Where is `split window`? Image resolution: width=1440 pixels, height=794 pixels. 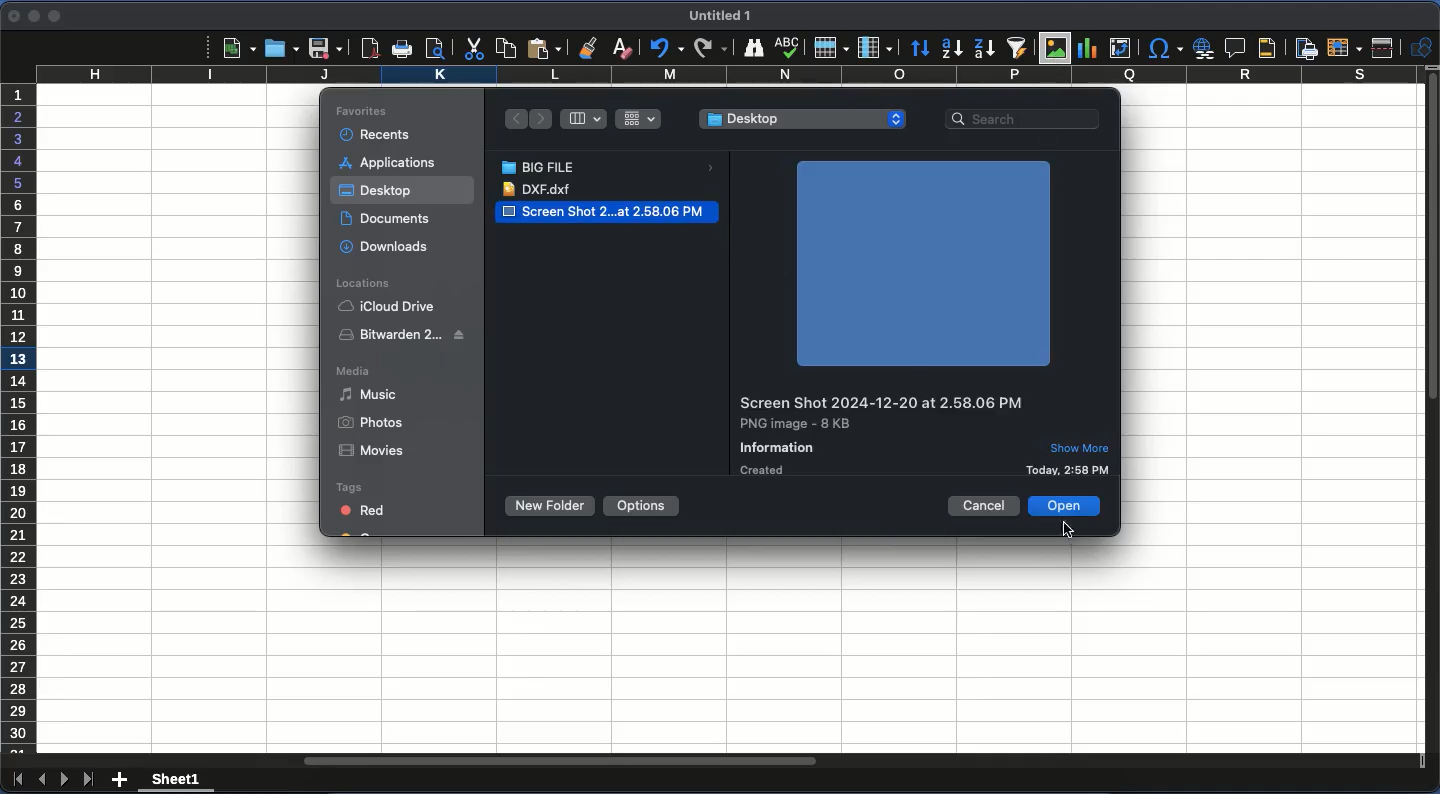 split window is located at coordinates (1385, 49).